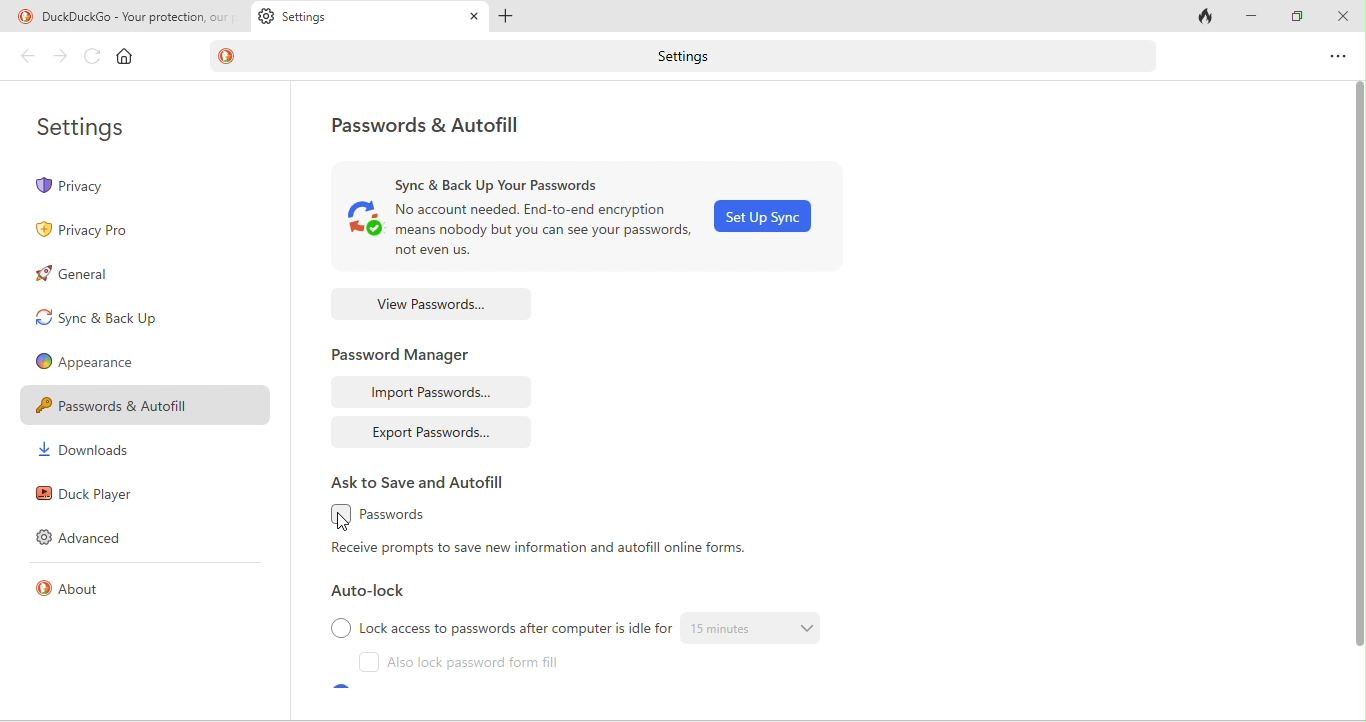 Image resolution: width=1366 pixels, height=722 pixels. I want to click on lock access to password after computer is idle for, so click(516, 628).